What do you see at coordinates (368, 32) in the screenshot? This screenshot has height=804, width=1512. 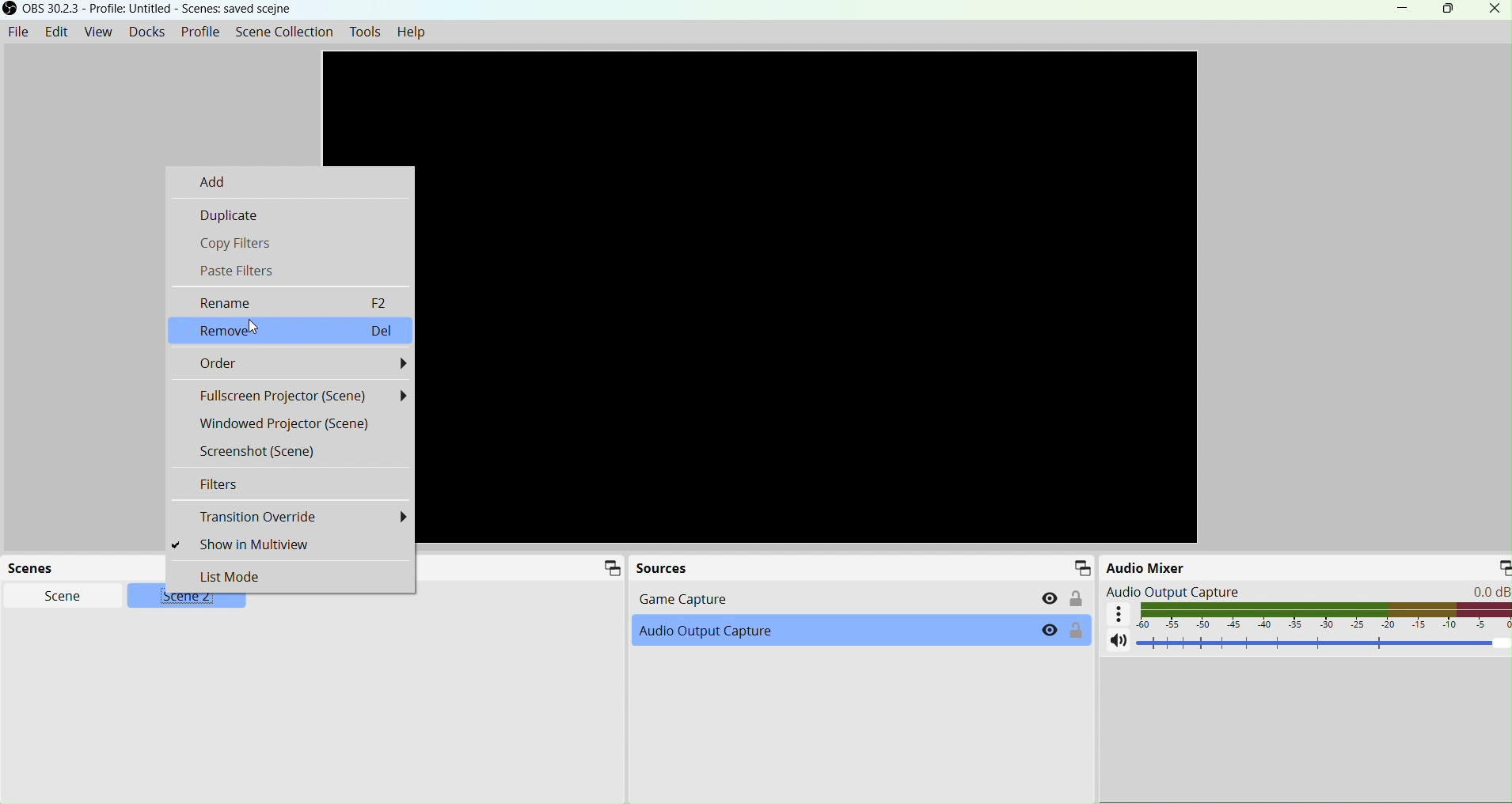 I see `Tools` at bounding box center [368, 32].